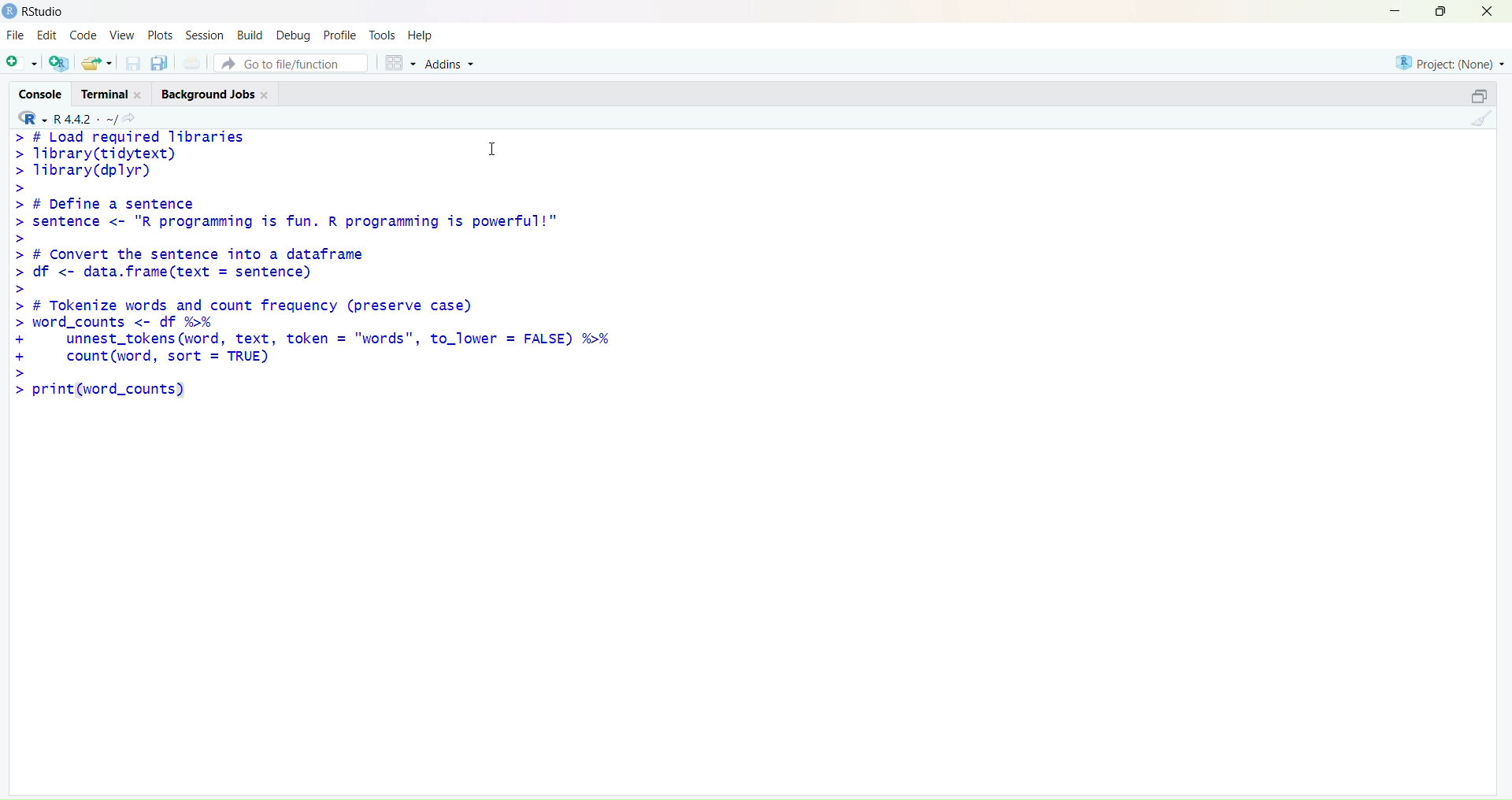 The height and width of the screenshot is (800, 1512). What do you see at coordinates (1481, 95) in the screenshot?
I see `collapse` at bounding box center [1481, 95].